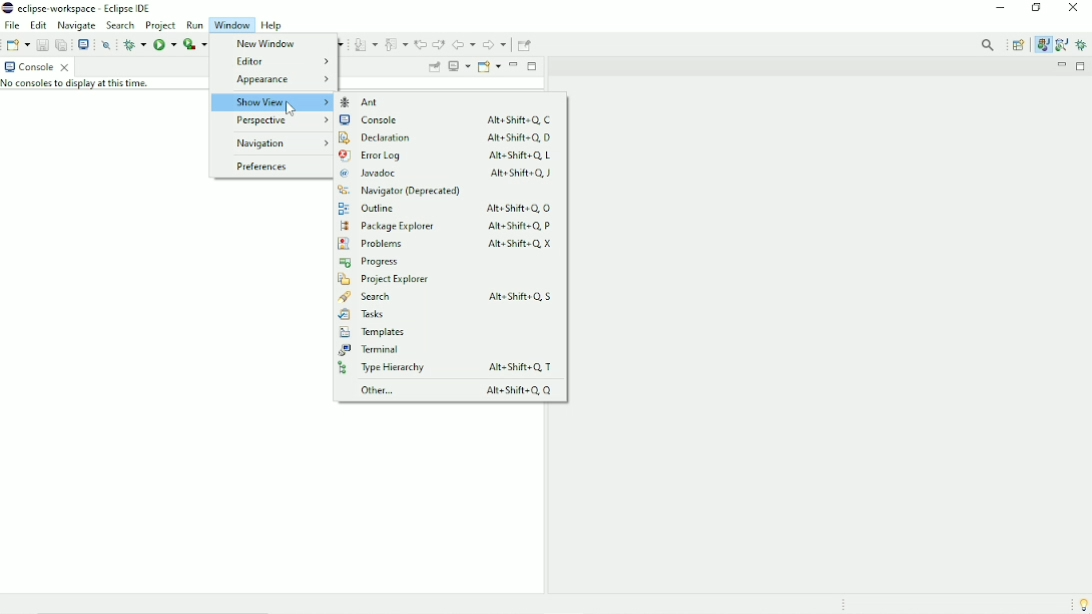 This screenshot has width=1092, height=614. What do you see at coordinates (514, 64) in the screenshot?
I see `Minimize` at bounding box center [514, 64].